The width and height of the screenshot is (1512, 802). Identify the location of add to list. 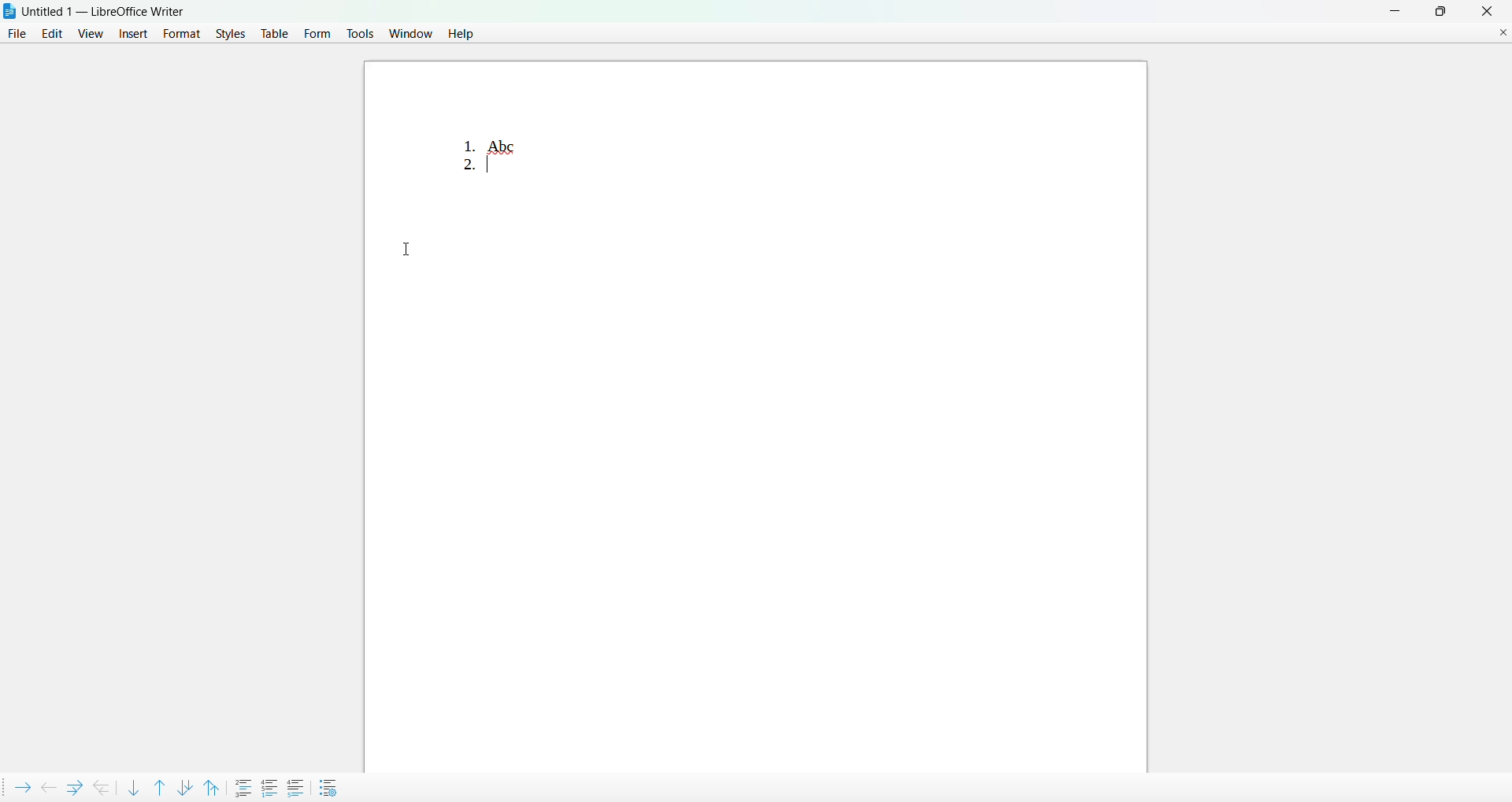
(295, 787).